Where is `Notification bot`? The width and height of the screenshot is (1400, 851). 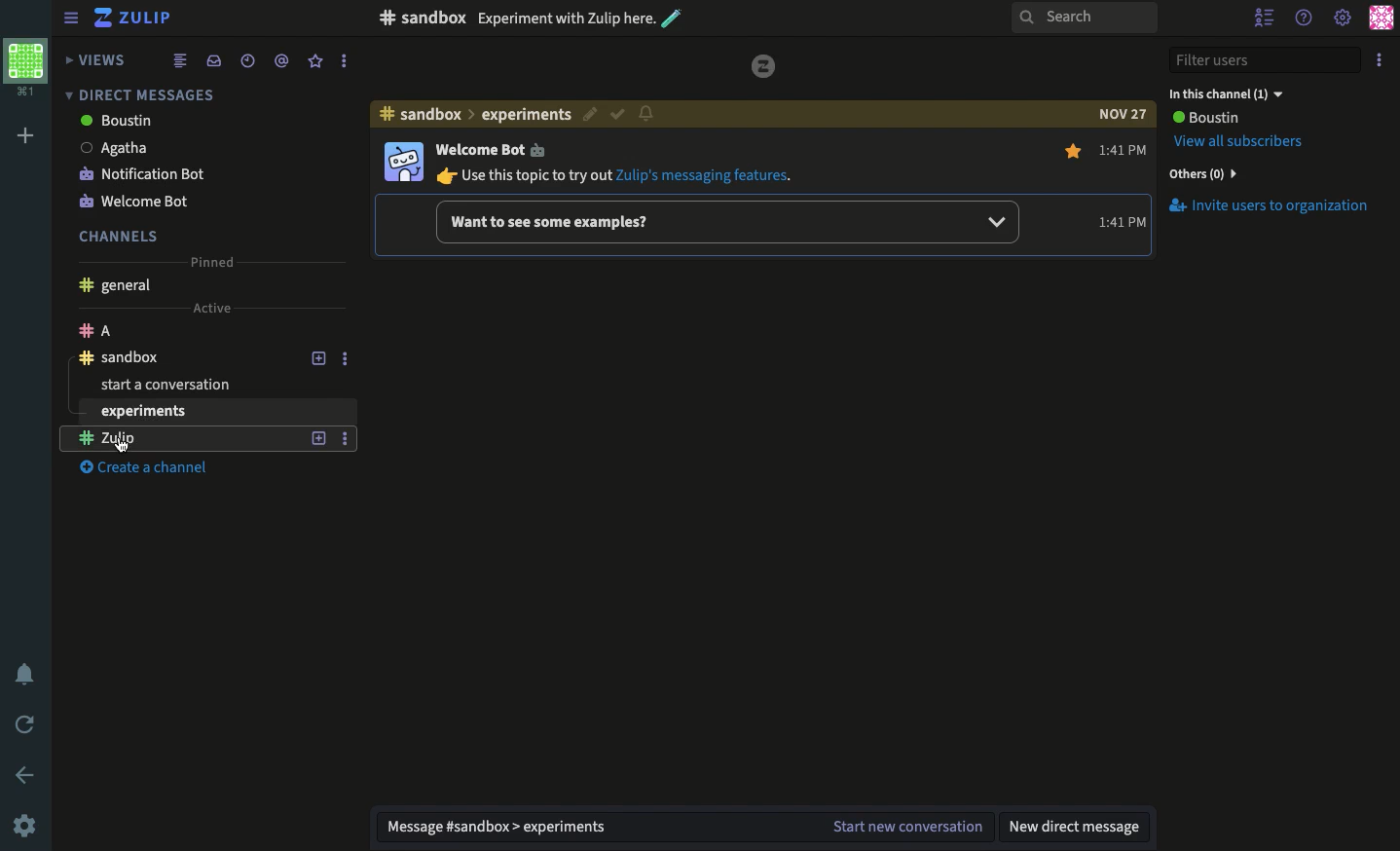 Notification bot is located at coordinates (187, 172).